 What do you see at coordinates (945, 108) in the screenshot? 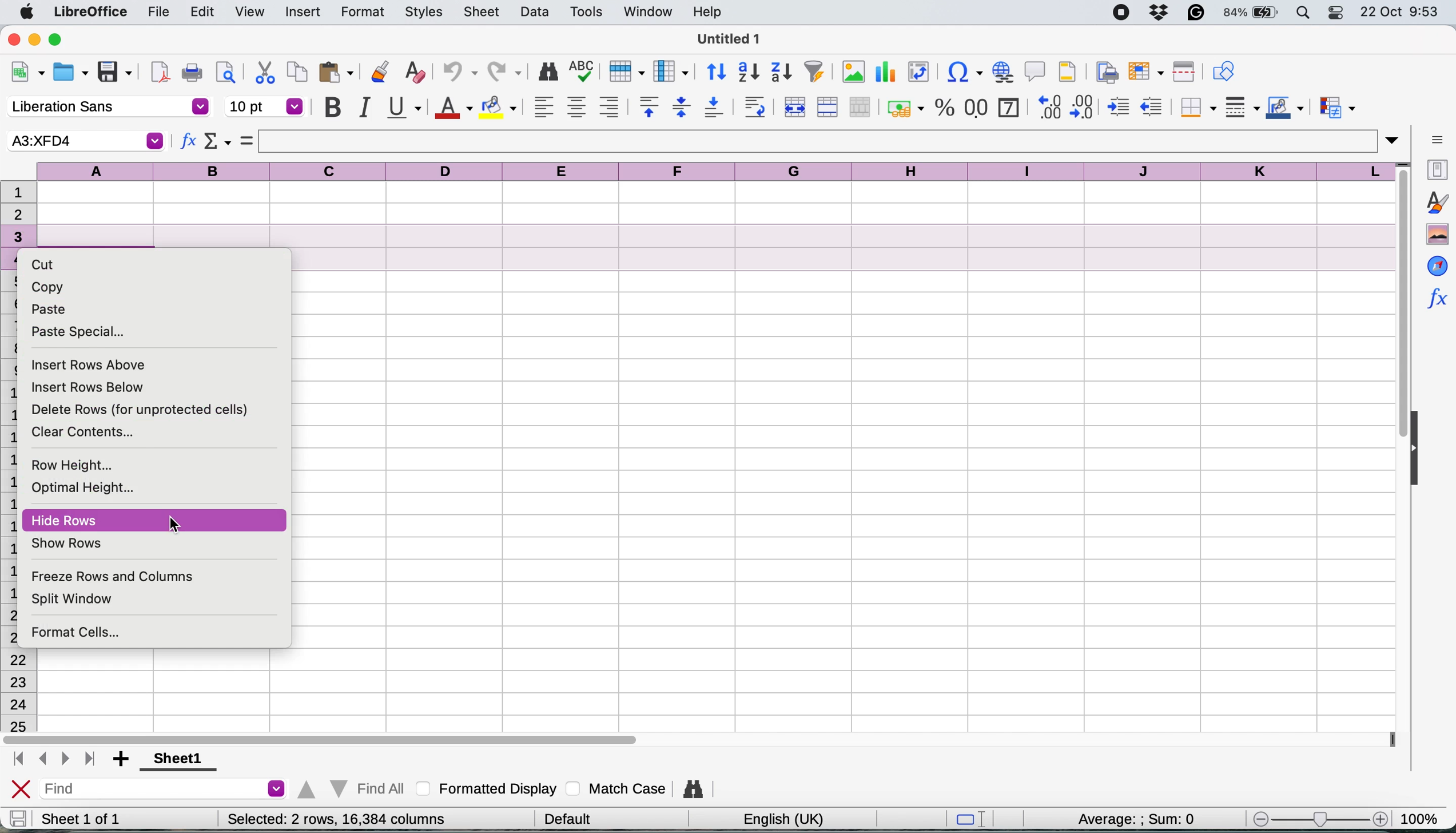
I see `format as percentage` at bounding box center [945, 108].